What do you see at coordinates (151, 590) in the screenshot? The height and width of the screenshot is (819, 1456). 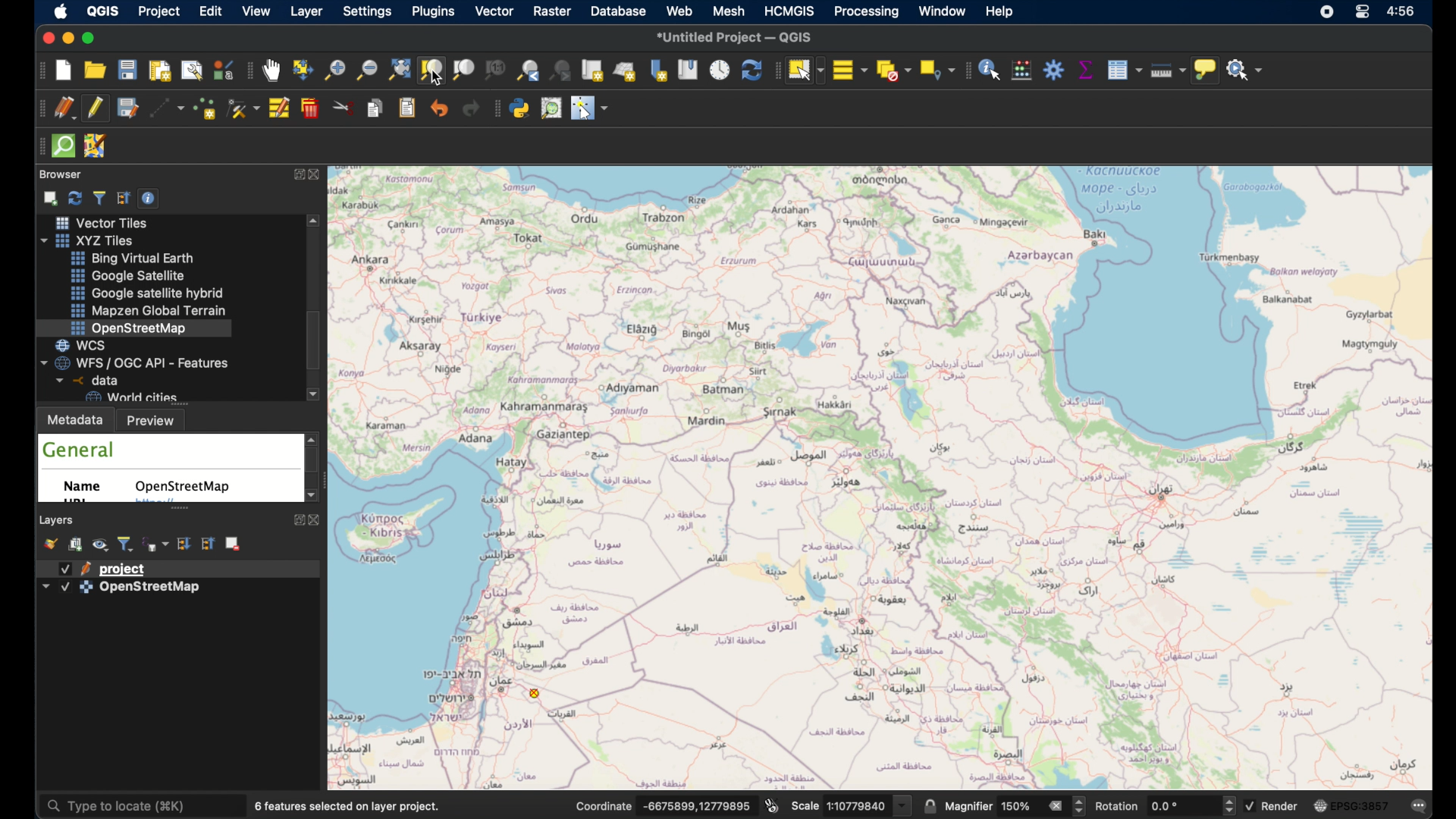 I see `openstreetmap layer` at bounding box center [151, 590].